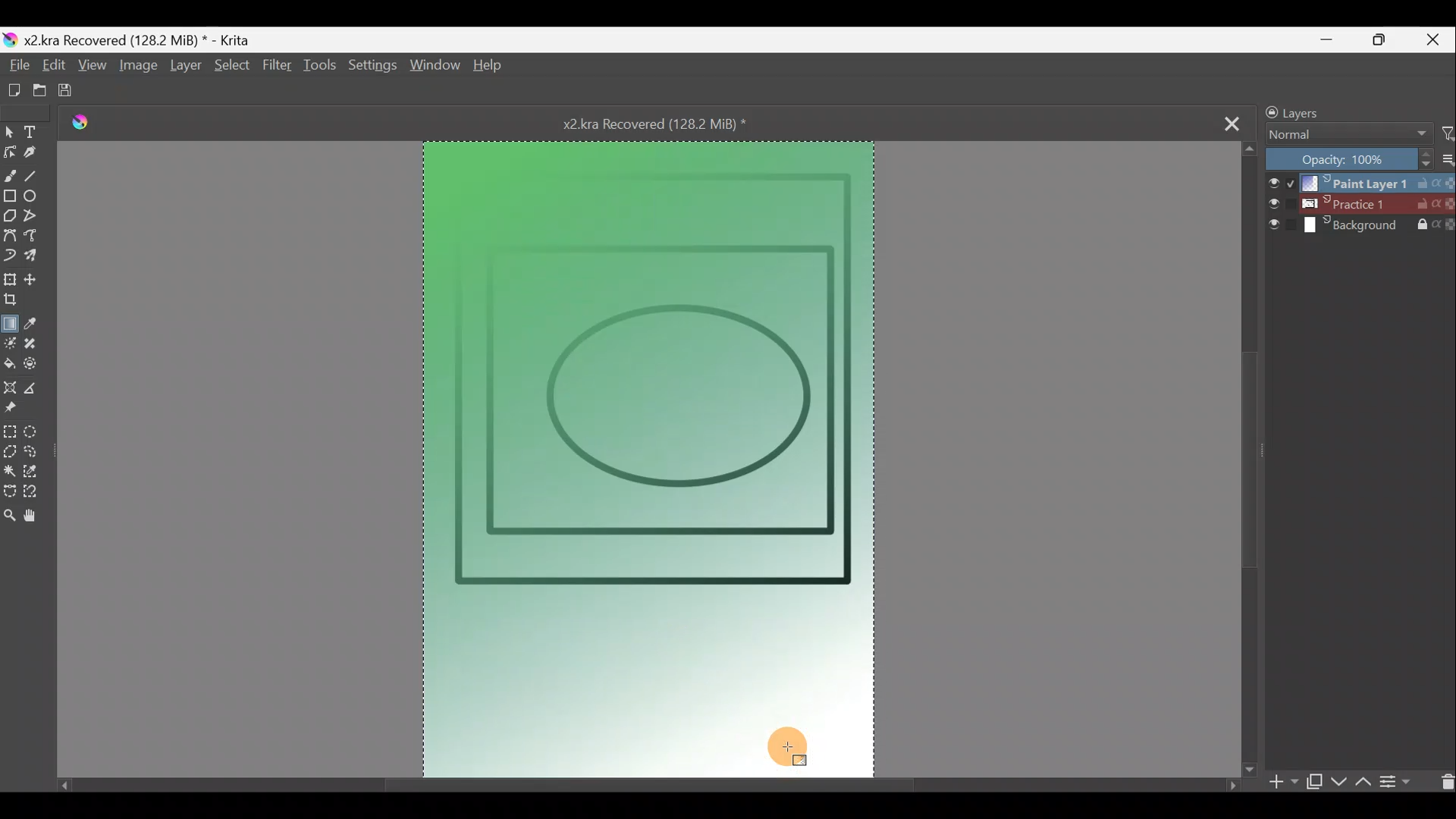 This screenshot has height=819, width=1456. I want to click on Assistant tool, so click(10, 390).